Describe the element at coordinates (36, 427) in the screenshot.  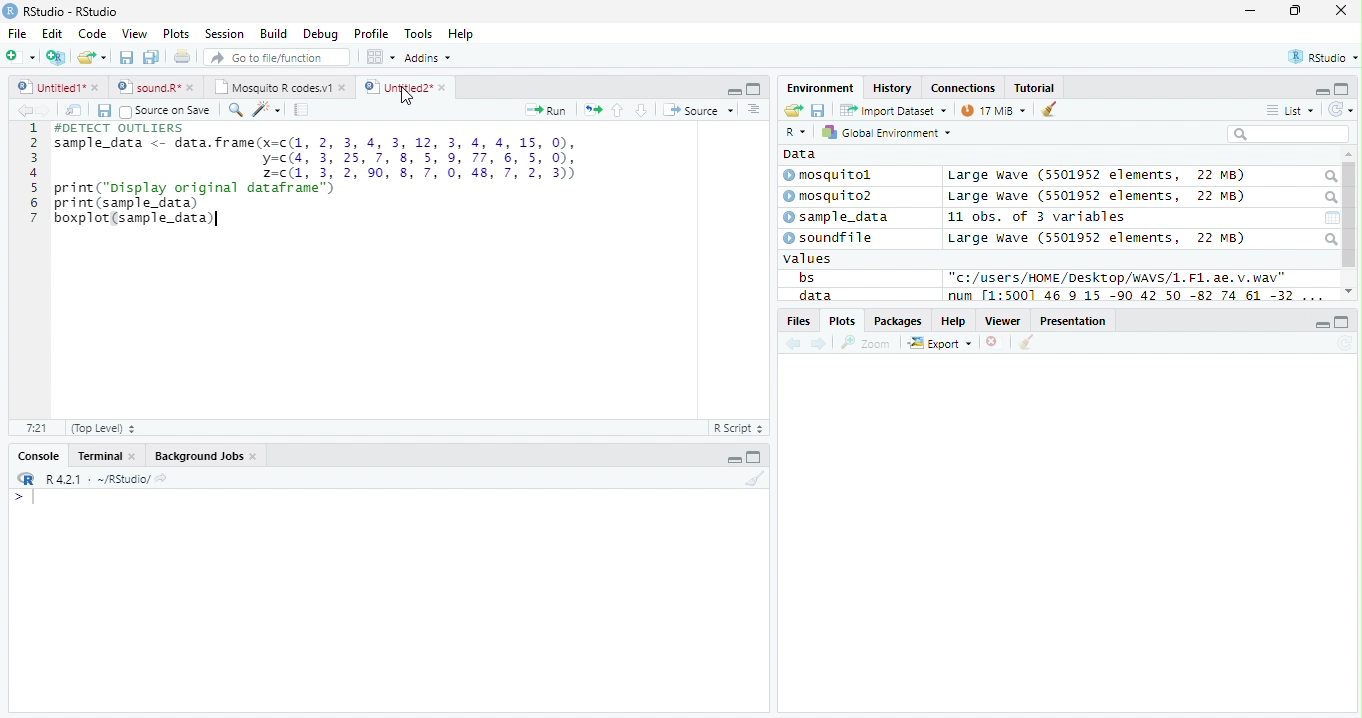
I see `7:21` at that location.